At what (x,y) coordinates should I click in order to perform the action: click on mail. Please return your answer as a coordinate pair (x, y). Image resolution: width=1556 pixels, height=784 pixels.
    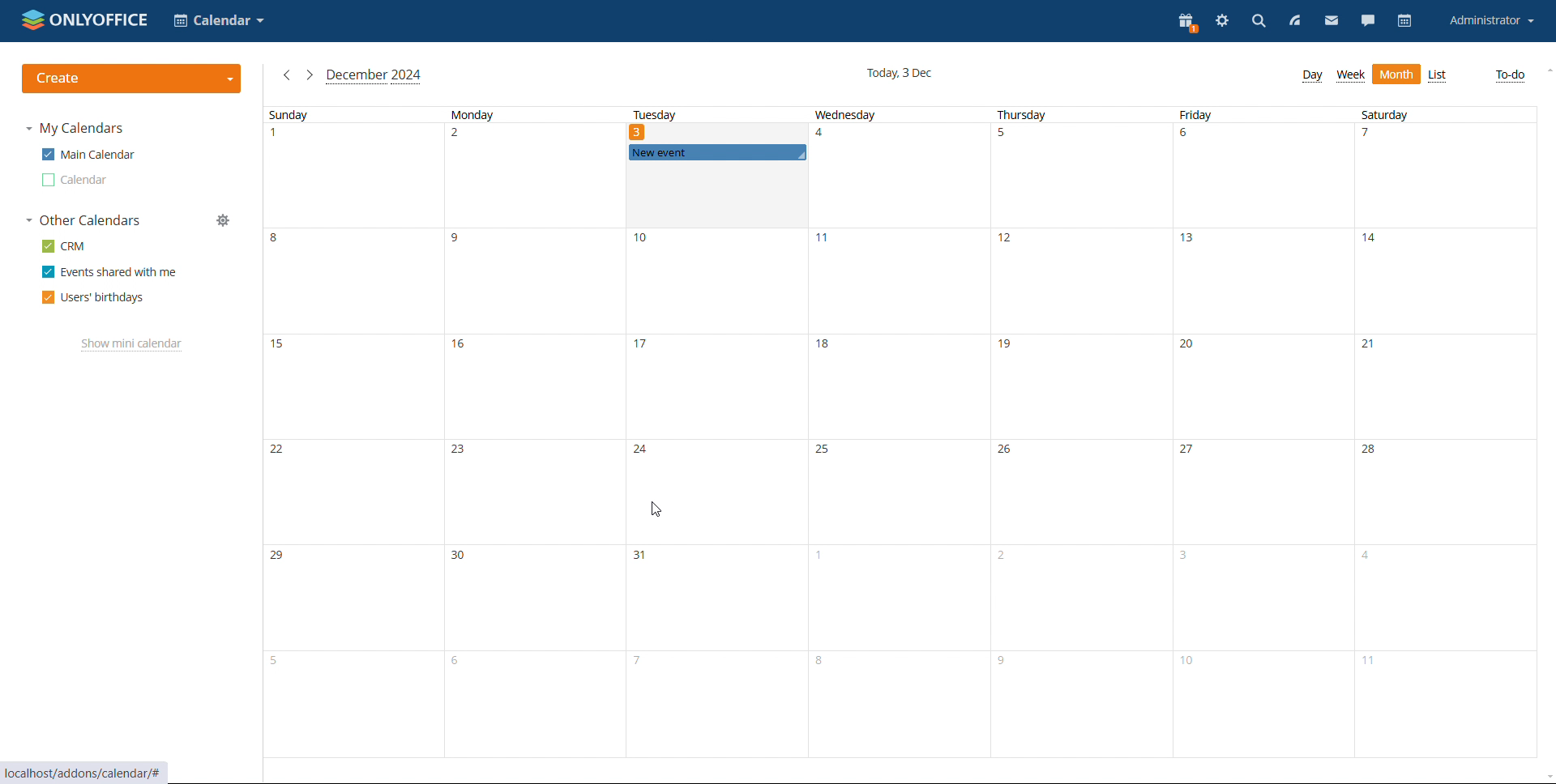
    Looking at the image, I should click on (1332, 22).